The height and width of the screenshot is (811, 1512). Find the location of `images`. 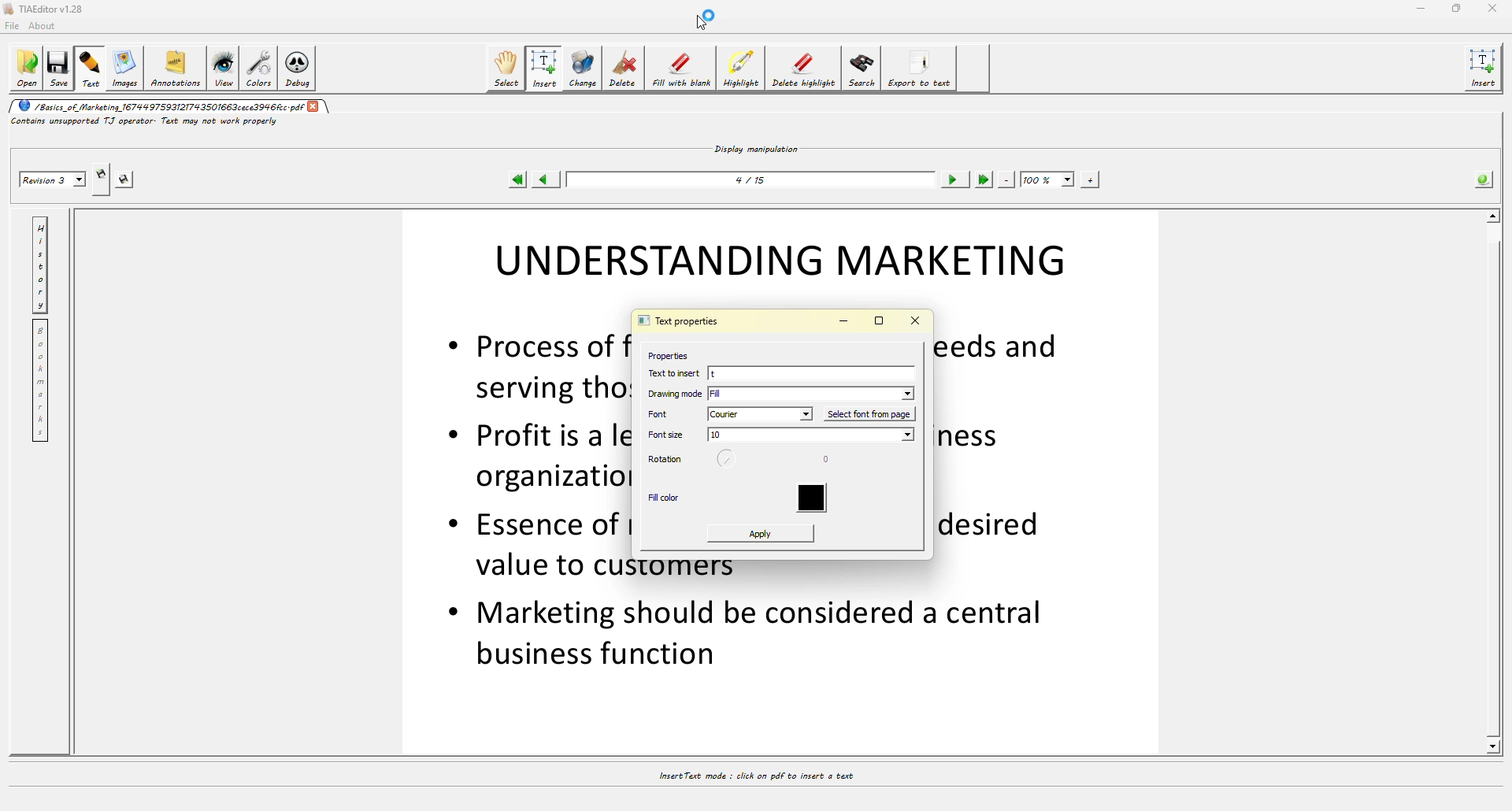

images is located at coordinates (123, 68).